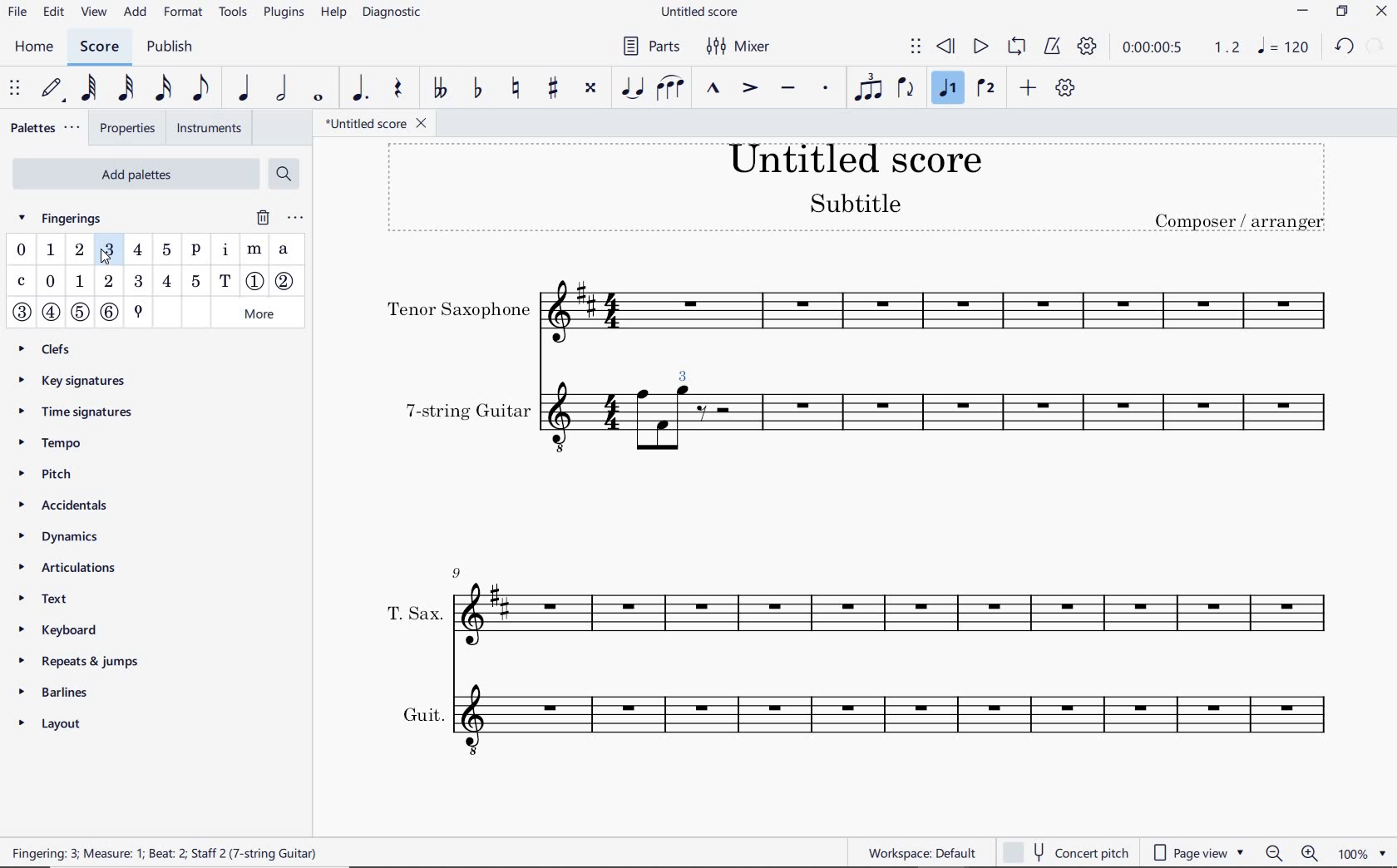 Image resolution: width=1397 pixels, height=868 pixels. What do you see at coordinates (825, 87) in the screenshot?
I see `STACCATO` at bounding box center [825, 87].